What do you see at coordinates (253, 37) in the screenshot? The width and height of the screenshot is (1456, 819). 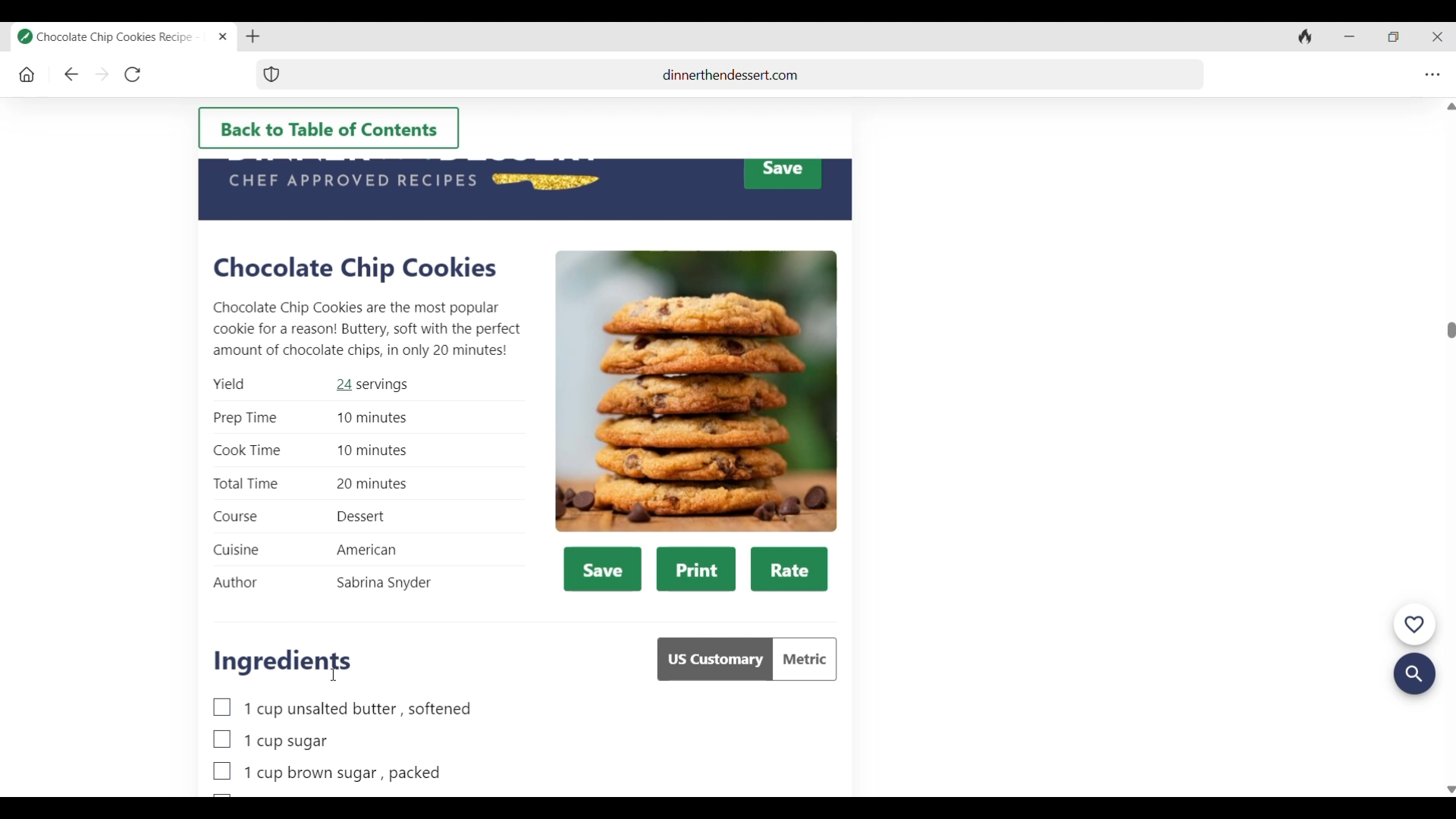 I see `Add tab` at bounding box center [253, 37].